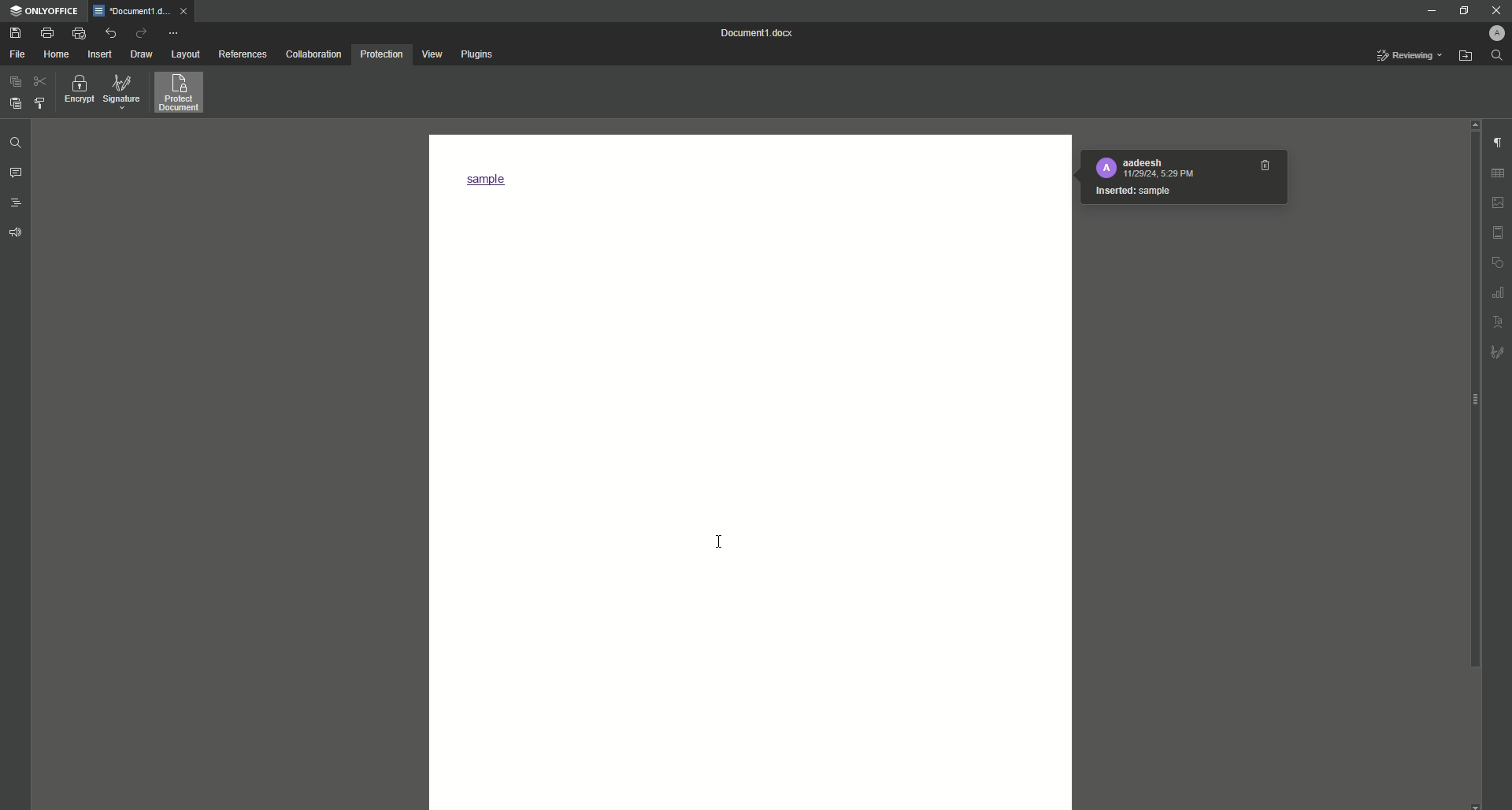 This screenshot has height=810, width=1512. Describe the element at coordinates (183, 54) in the screenshot. I see `Layout` at that location.